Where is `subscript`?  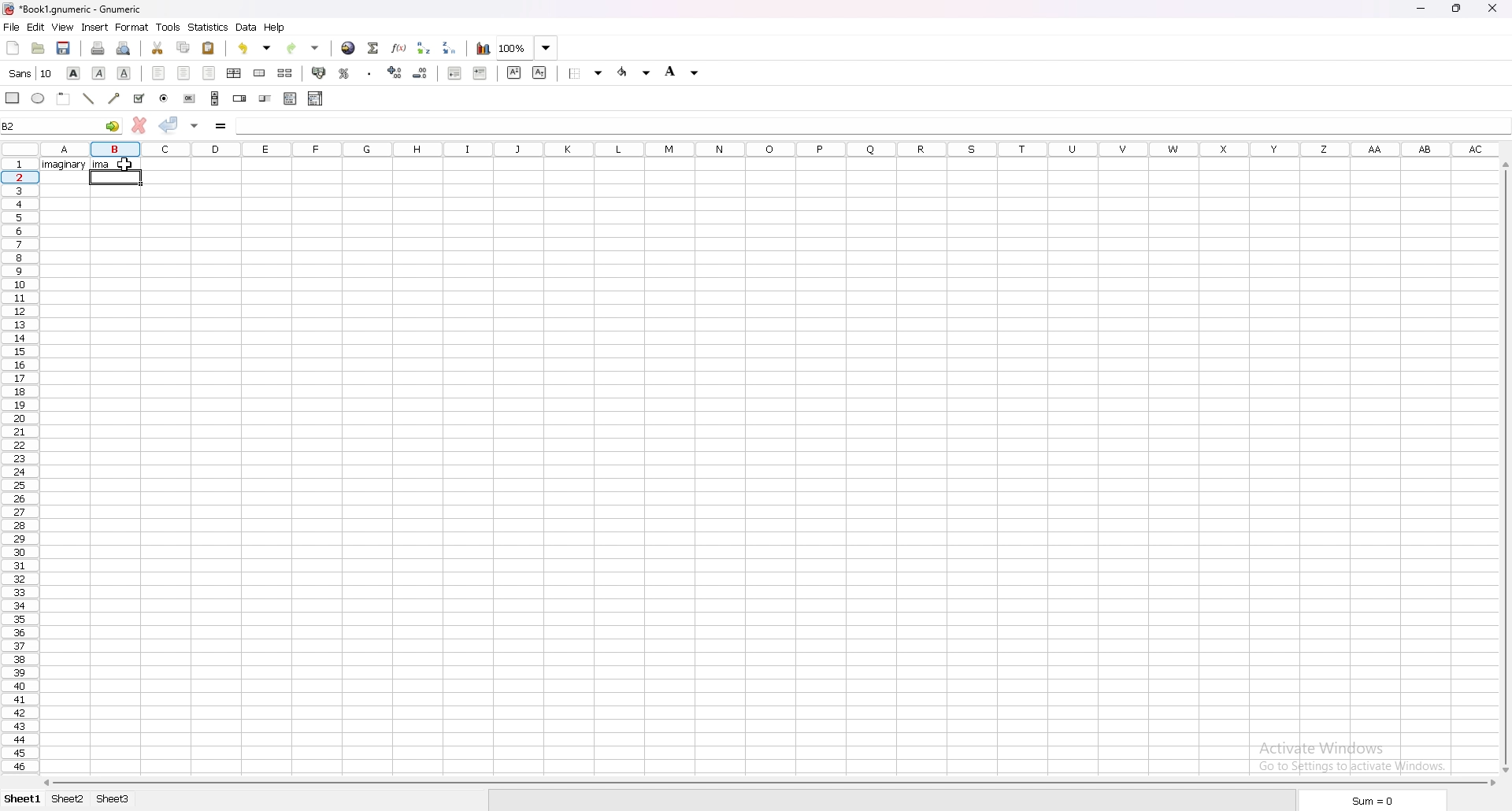
subscript is located at coordinates (542, 72).